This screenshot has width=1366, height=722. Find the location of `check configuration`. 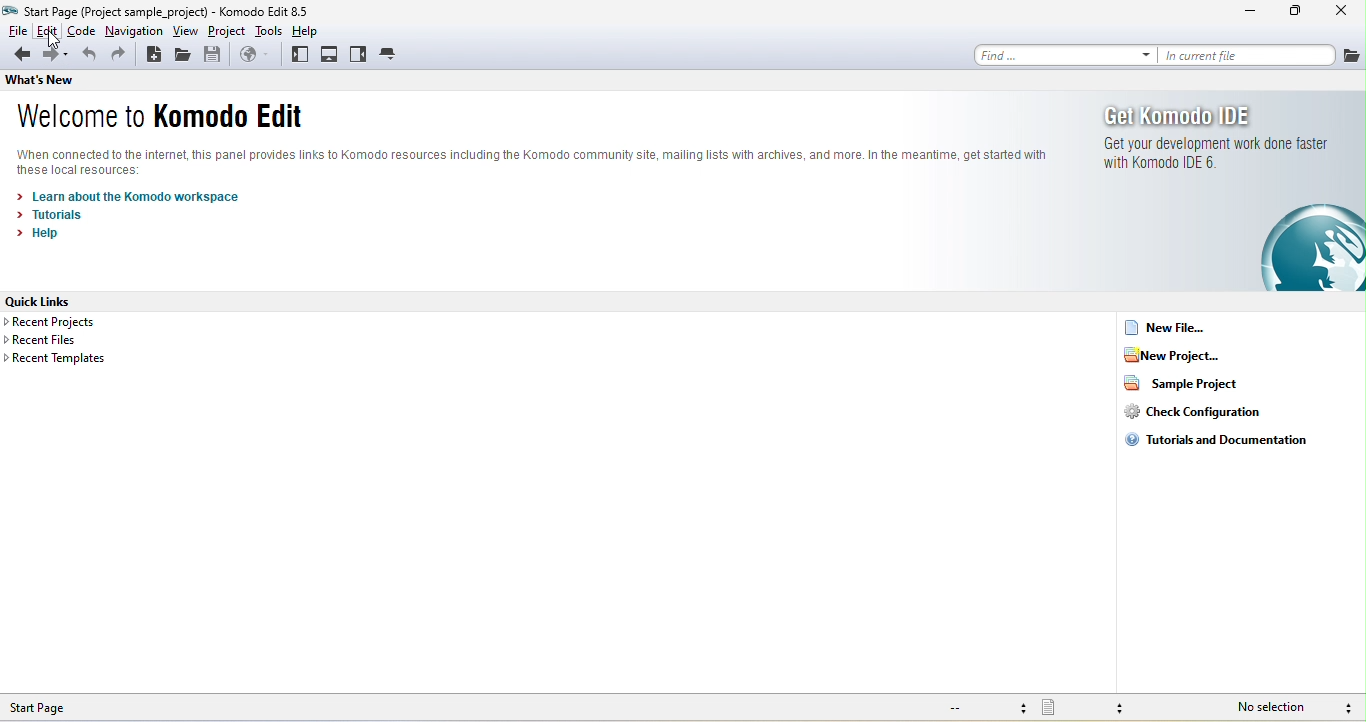

check configuration is located at coordinates (1202, 414).